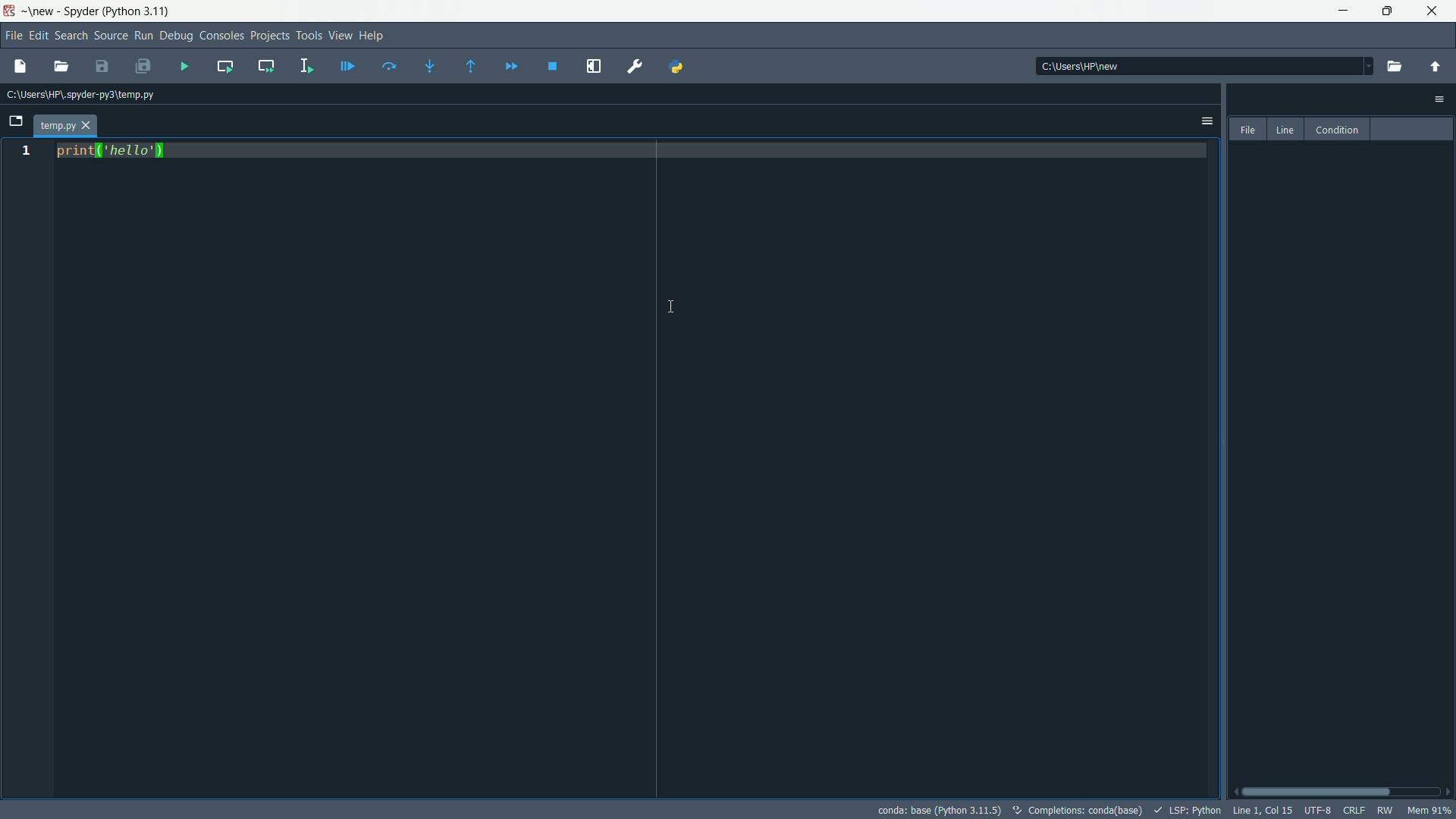 The height and width of the screenshot is (819, 1456). I want to click on continue execution until next function, so click(472, 66).